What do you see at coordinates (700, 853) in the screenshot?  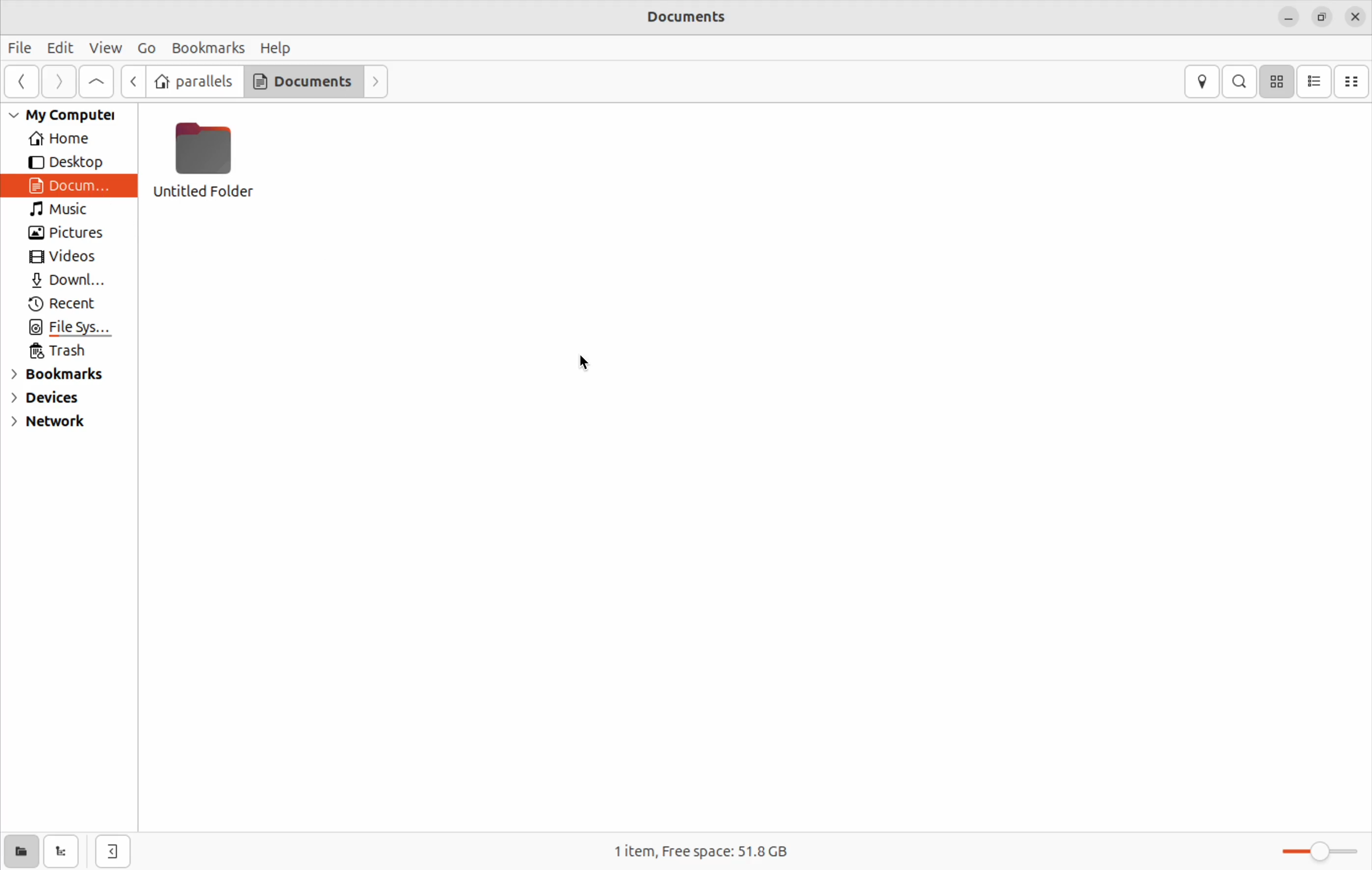 I see `1 item free space 51.8 Gb` at bounding box center [700, 853].